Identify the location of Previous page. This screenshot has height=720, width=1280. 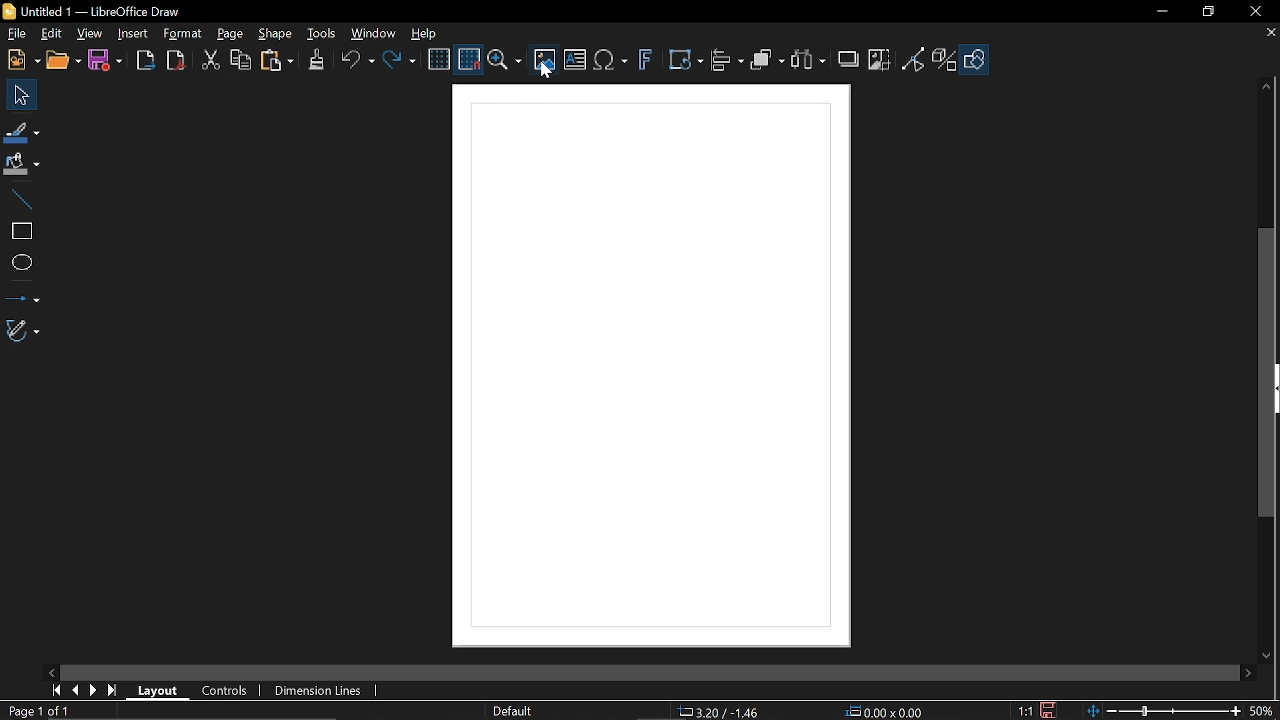
(73, 691).